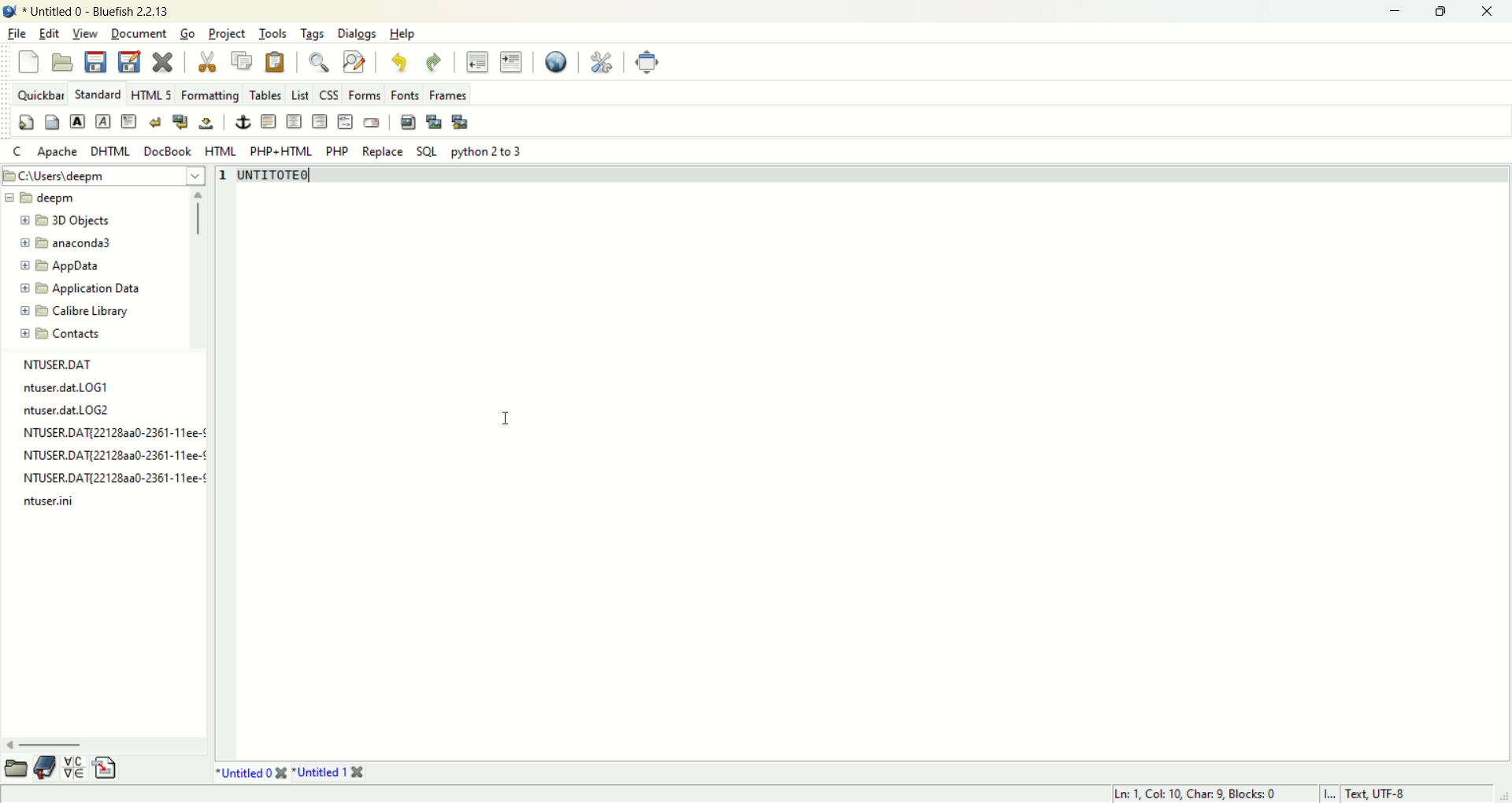 Image resolution: width=1512 pixels, height=803 pixels. Describe the element at coordinates (39, 94) in the screenshot. I see `quickbar` at that location.